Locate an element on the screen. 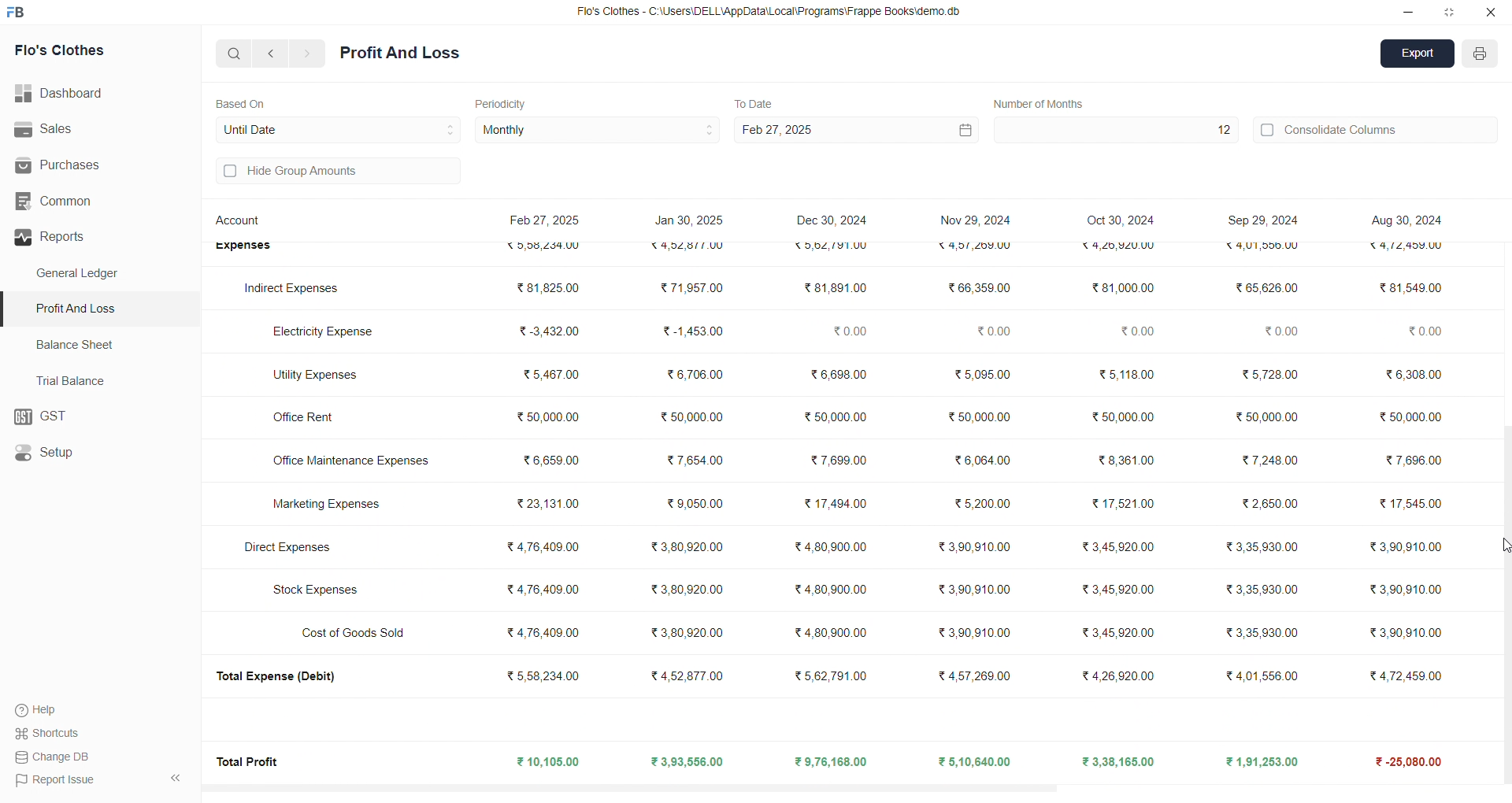 Image resolution: width=1512 pixels, height=803 pixels. Shortcuts is located at coordinates (52, 732).